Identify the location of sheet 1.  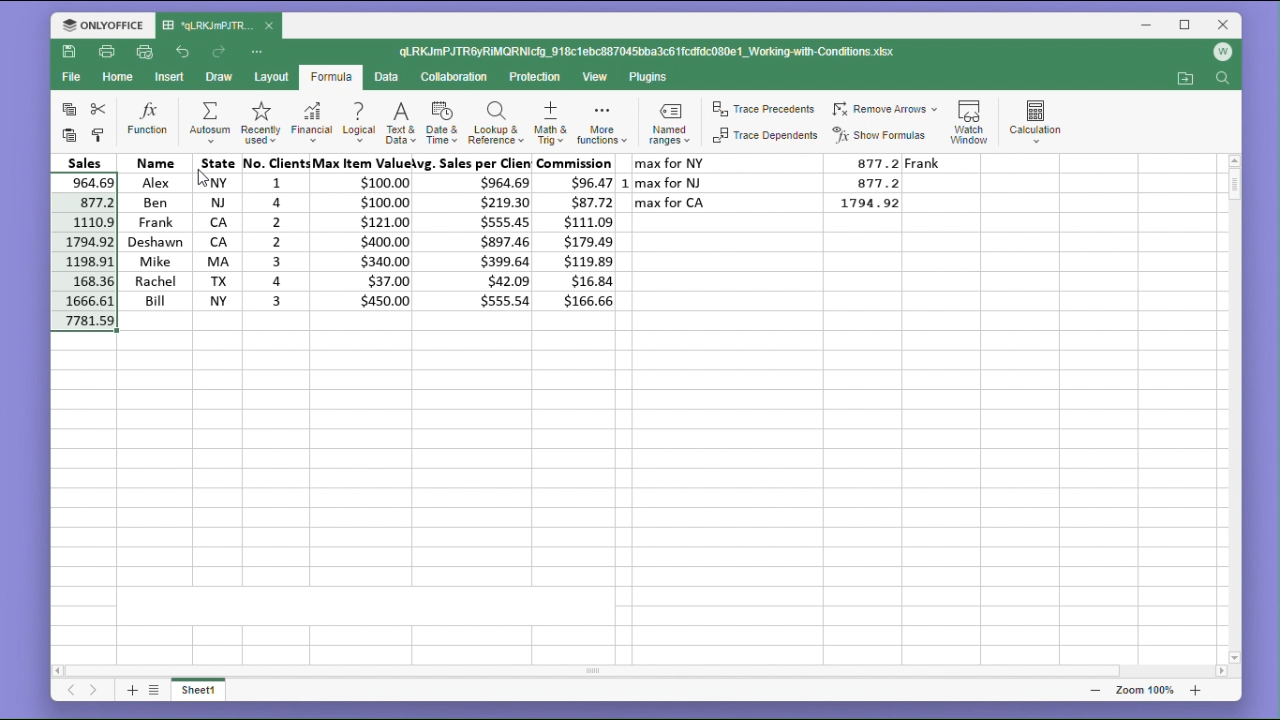
(206, 692).